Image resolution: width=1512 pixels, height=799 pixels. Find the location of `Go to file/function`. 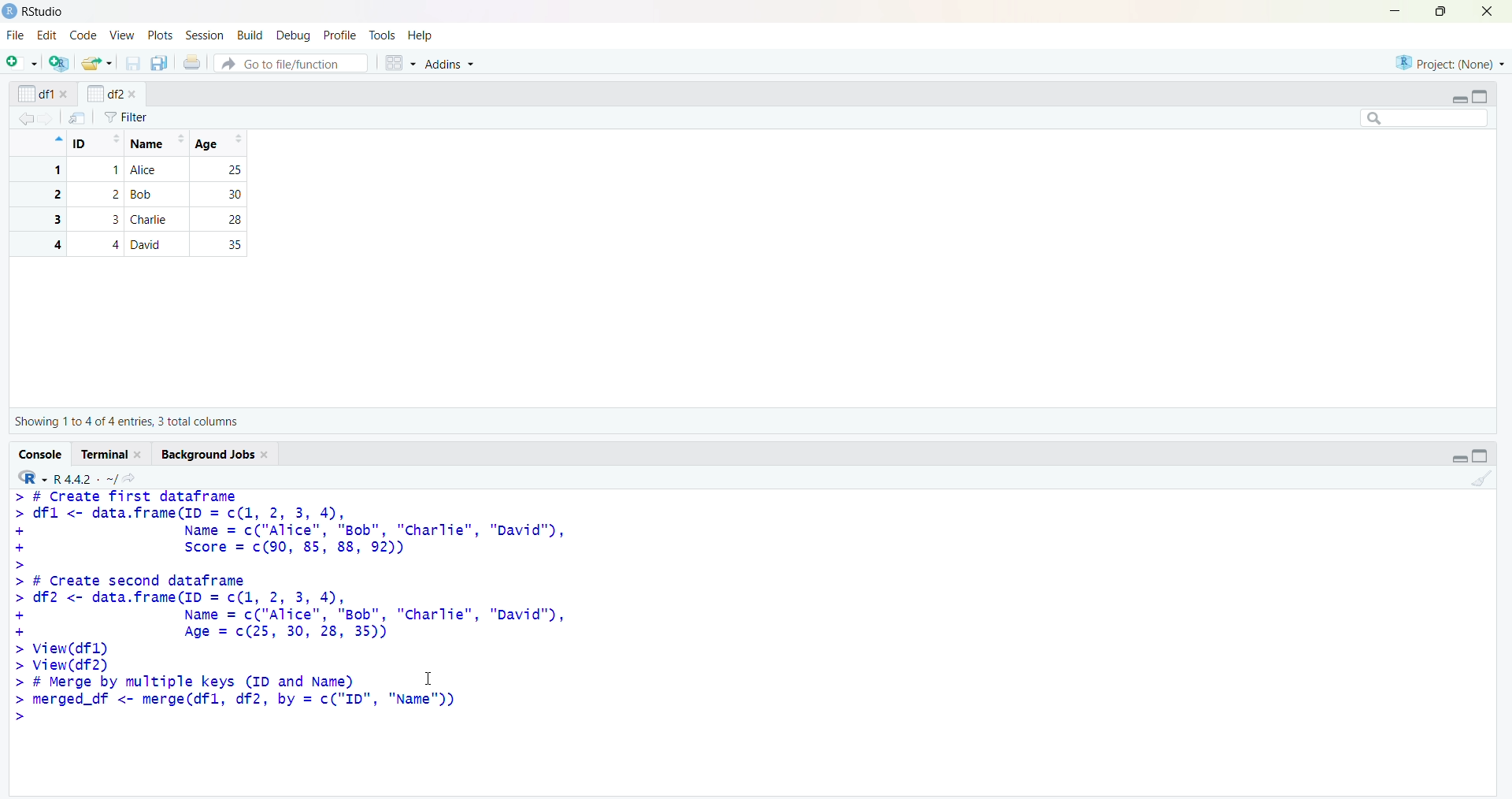

Go to file/function is located at coordinates (291, 63).